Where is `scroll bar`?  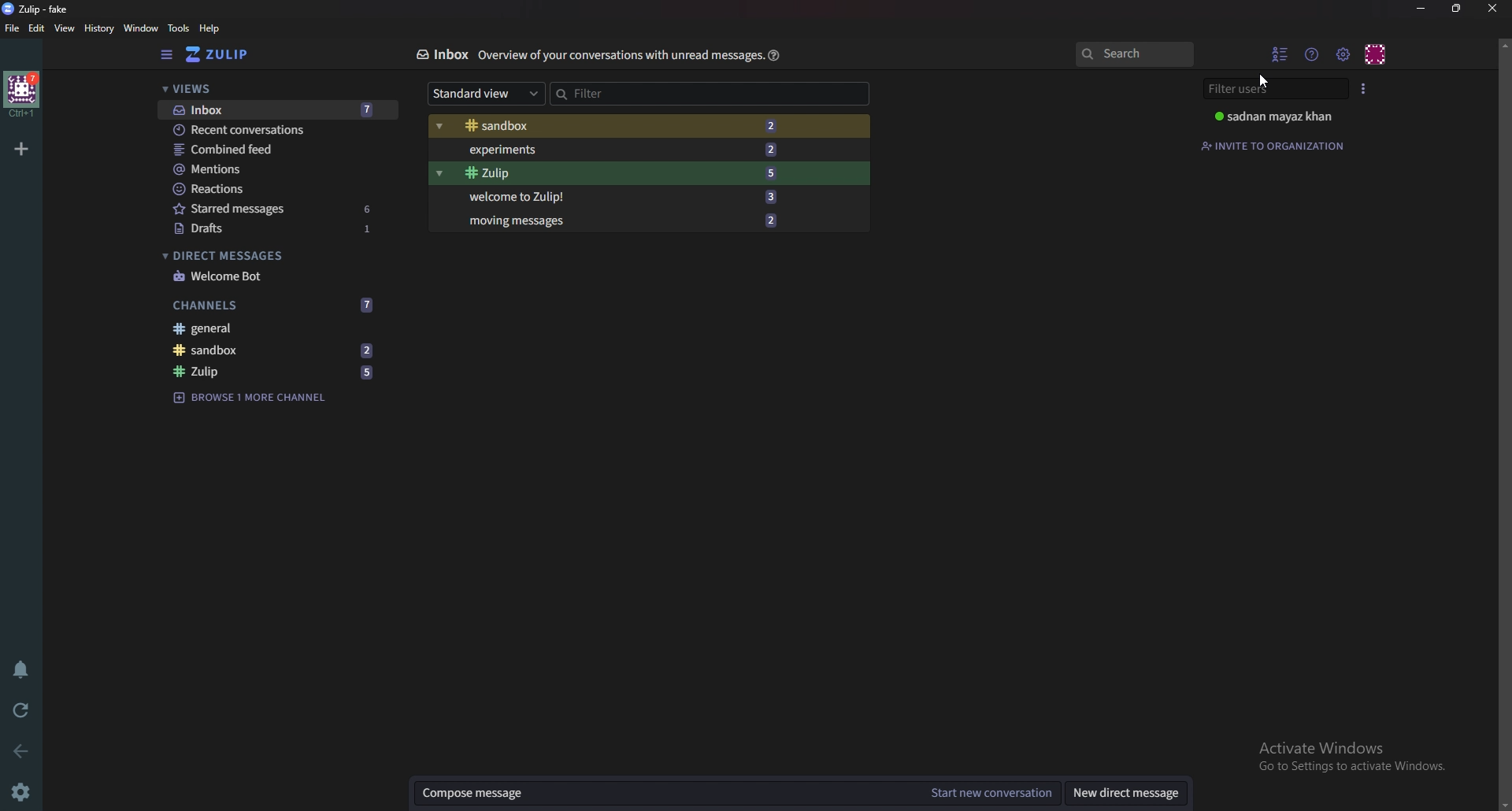 scroll bar is located at coordinates (1503, 423).